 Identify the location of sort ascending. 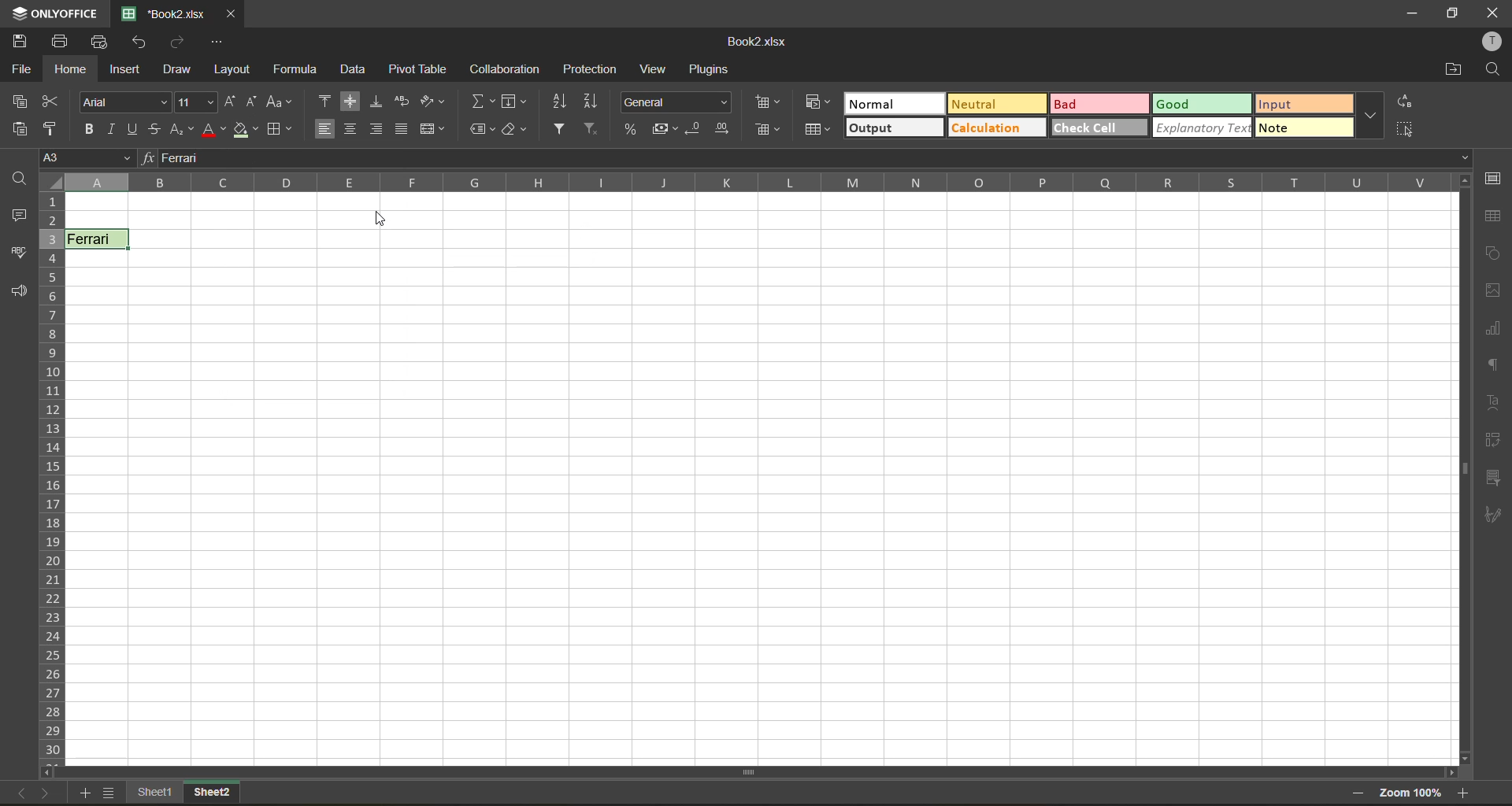
(560, 102).